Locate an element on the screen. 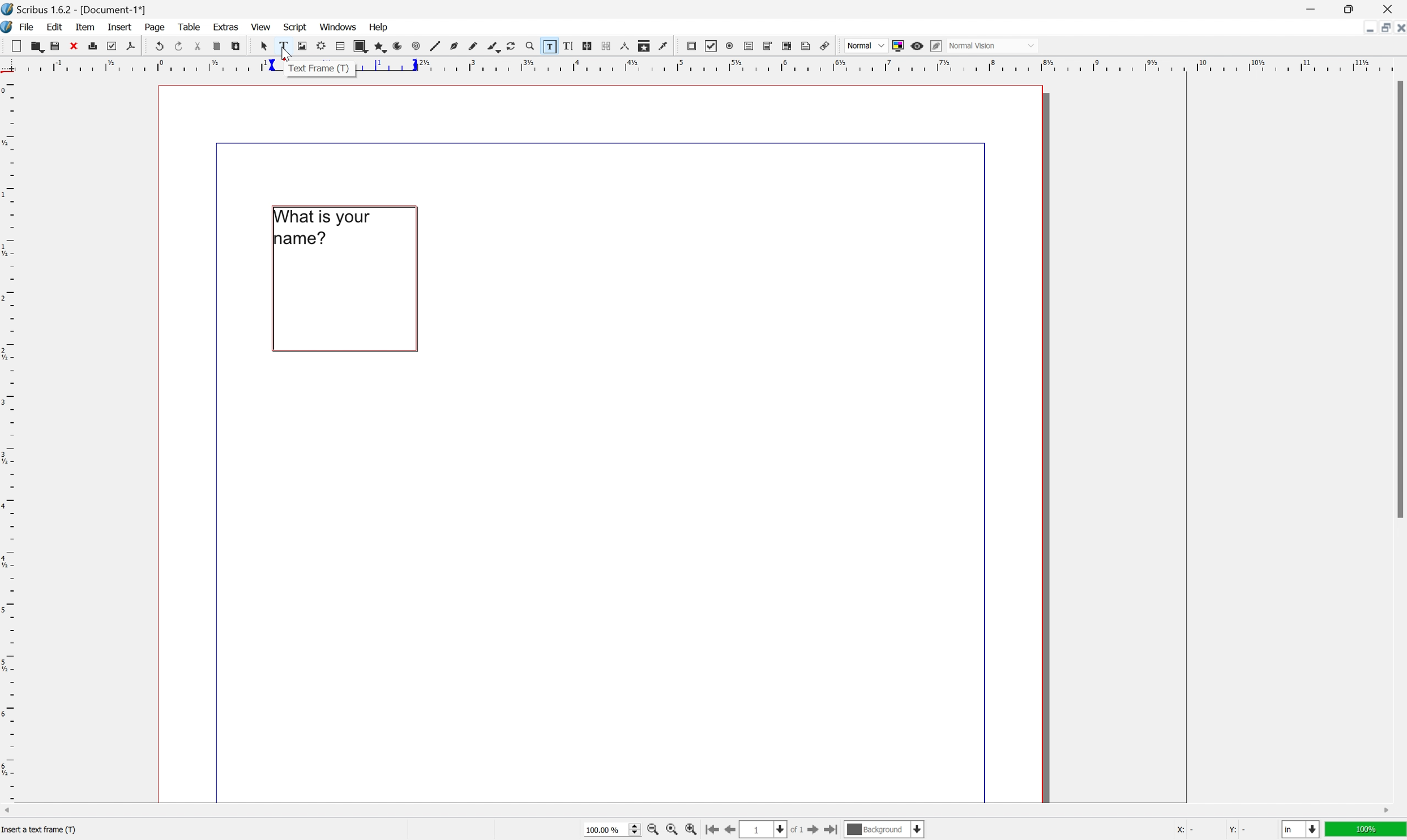 The width and height of the screenshot is (1407, 840). open is located at coordinates (39, 48).